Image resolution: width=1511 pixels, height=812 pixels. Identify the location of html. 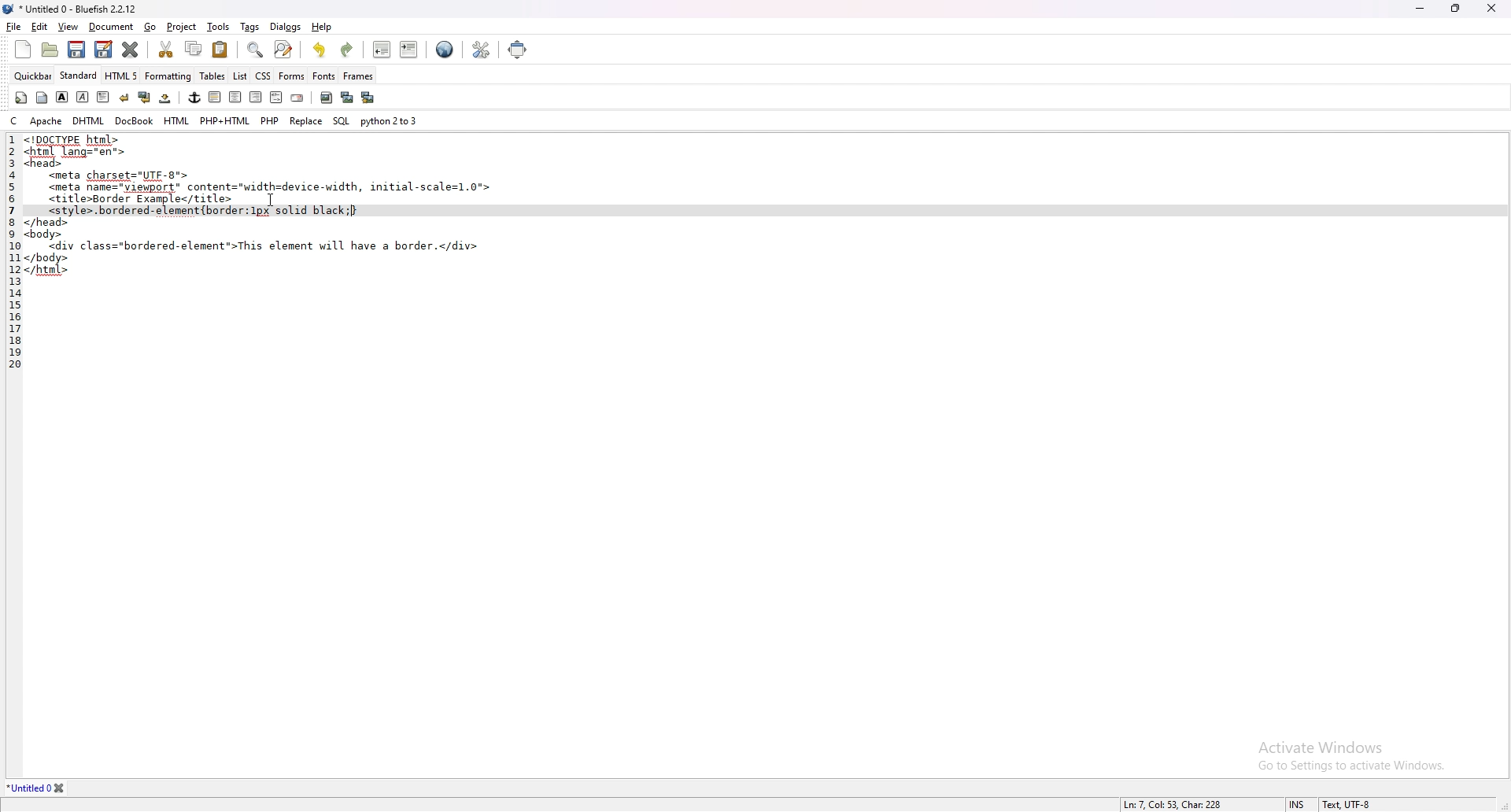
(178, 121).